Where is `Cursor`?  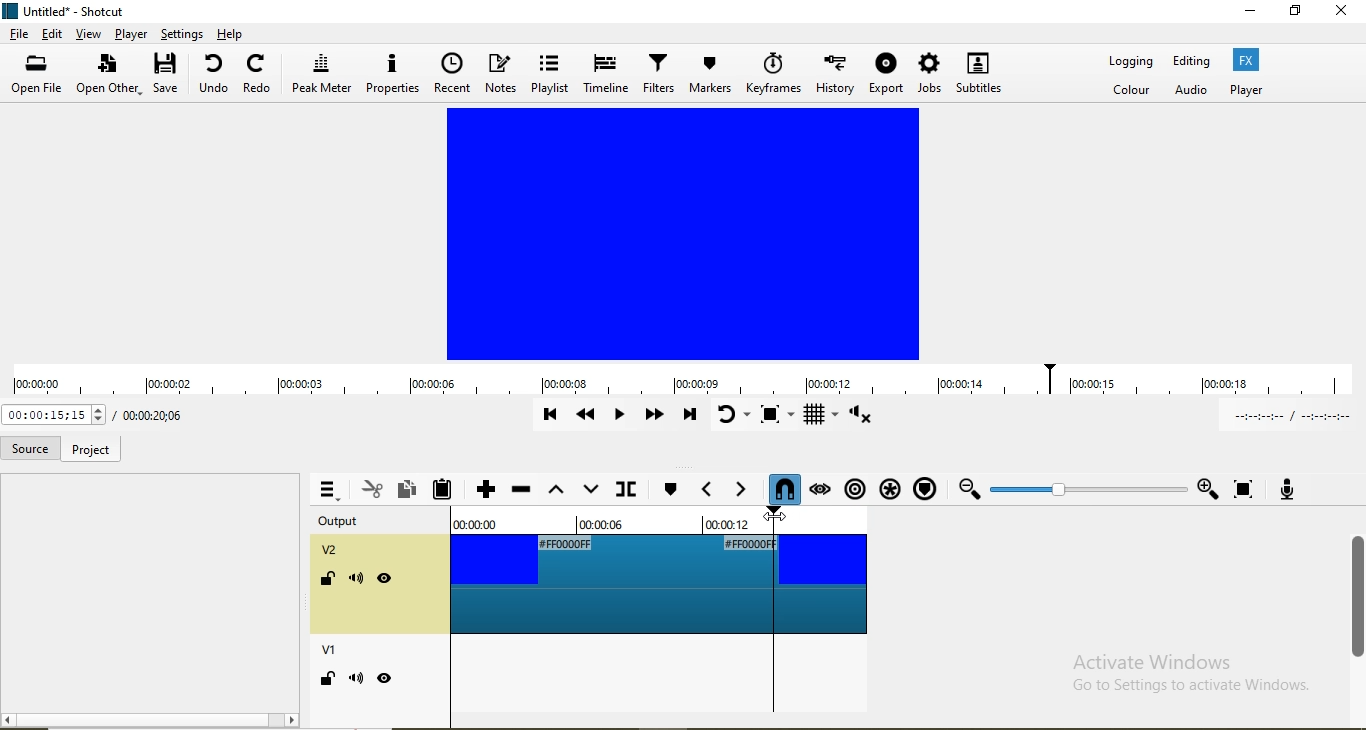 Cursor is located at coordinates (782, 519).